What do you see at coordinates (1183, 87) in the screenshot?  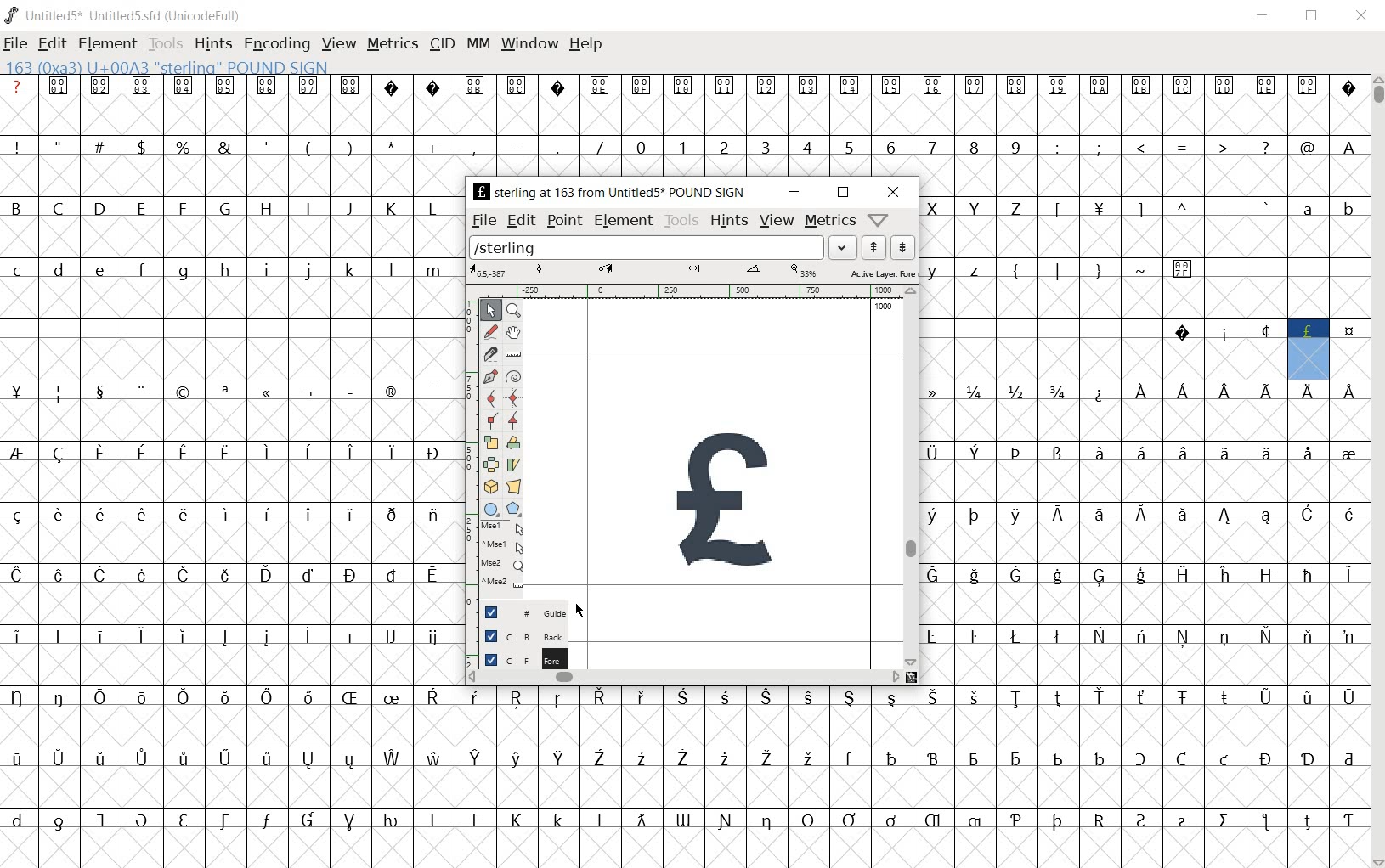 I see `Symbol` at bounding box center [1183, 87].